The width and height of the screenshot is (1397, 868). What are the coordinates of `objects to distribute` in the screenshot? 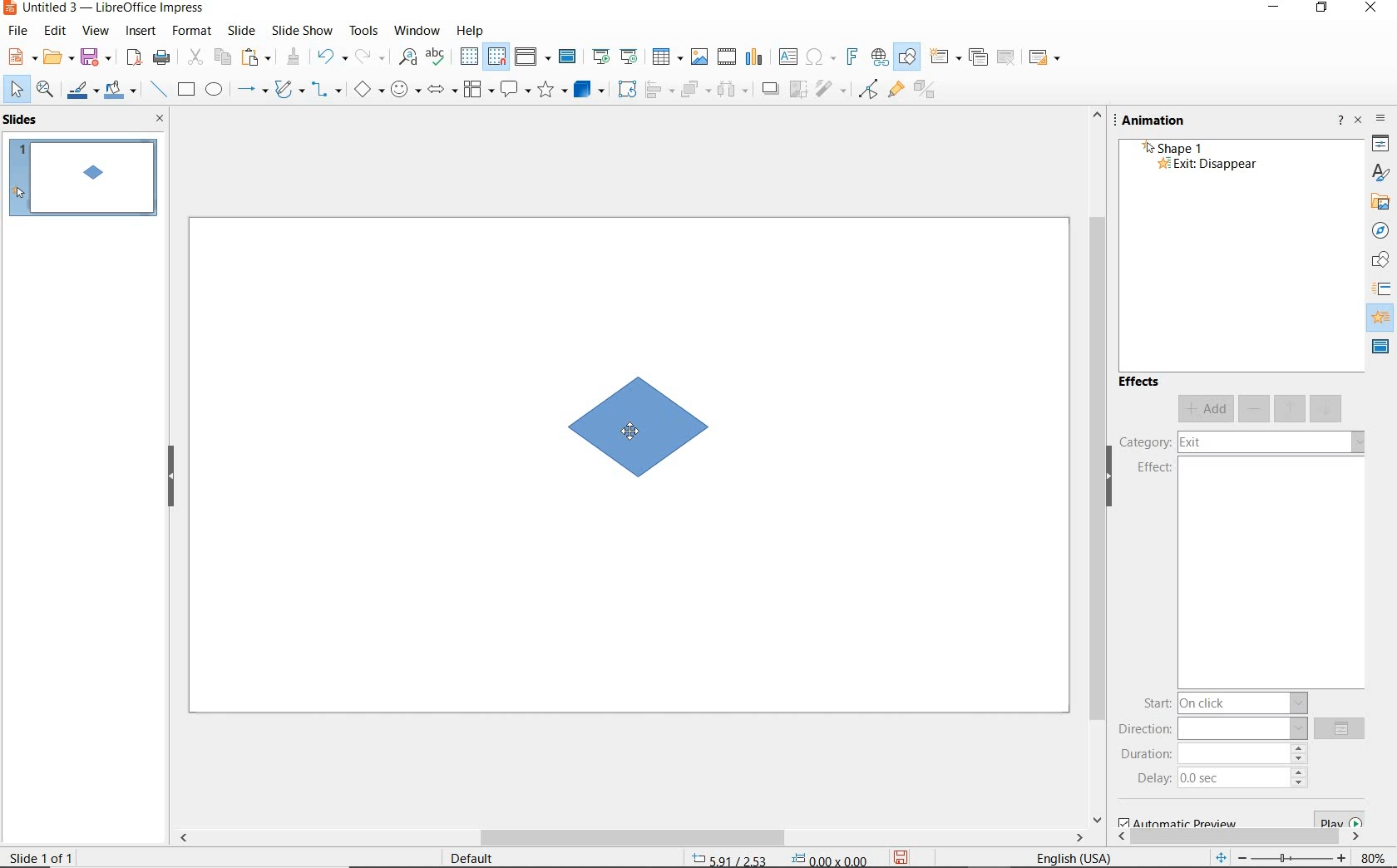 It's located at (733, 91).